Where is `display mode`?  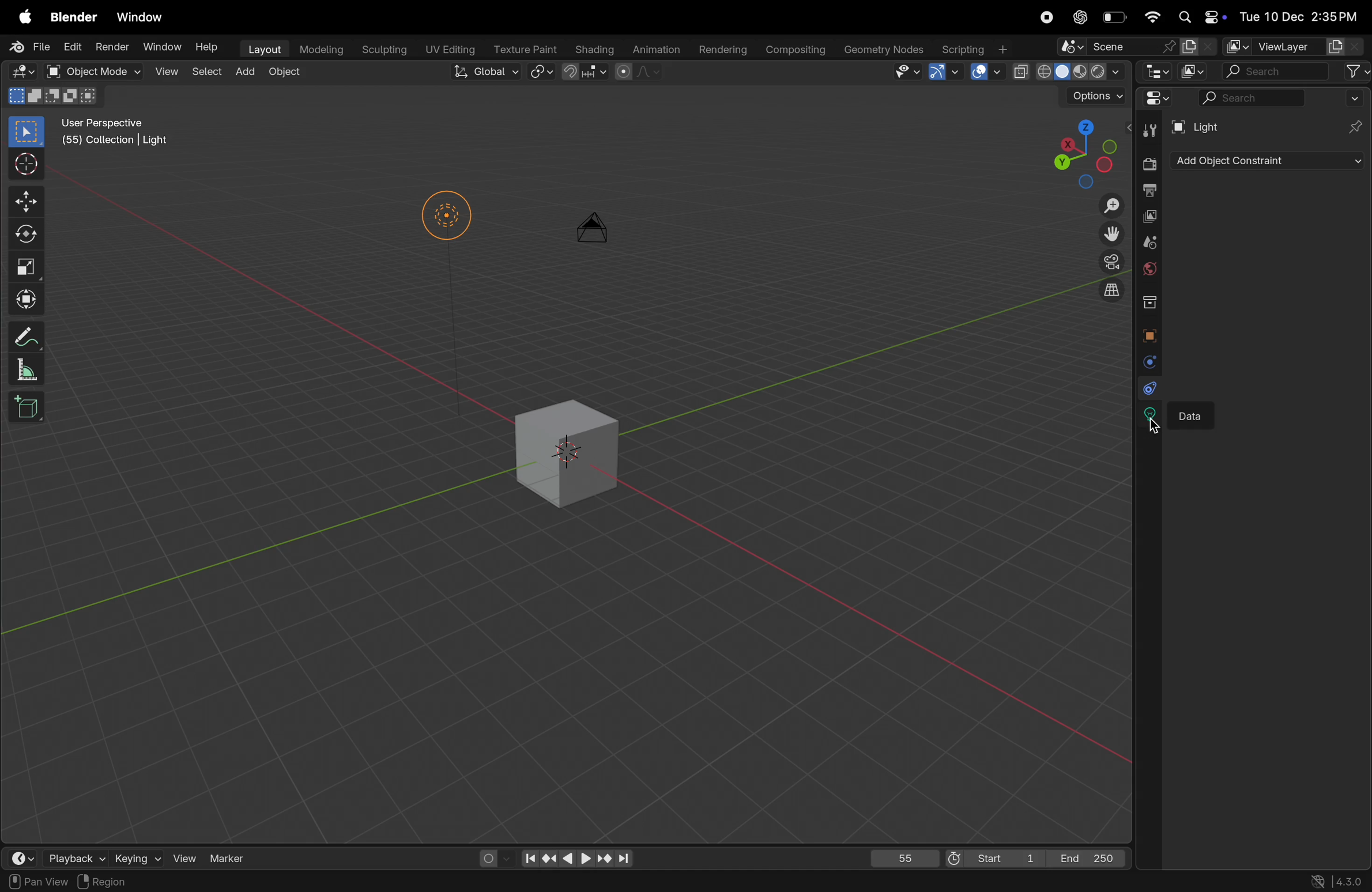
display mode is located at coordinates (1194, 72).